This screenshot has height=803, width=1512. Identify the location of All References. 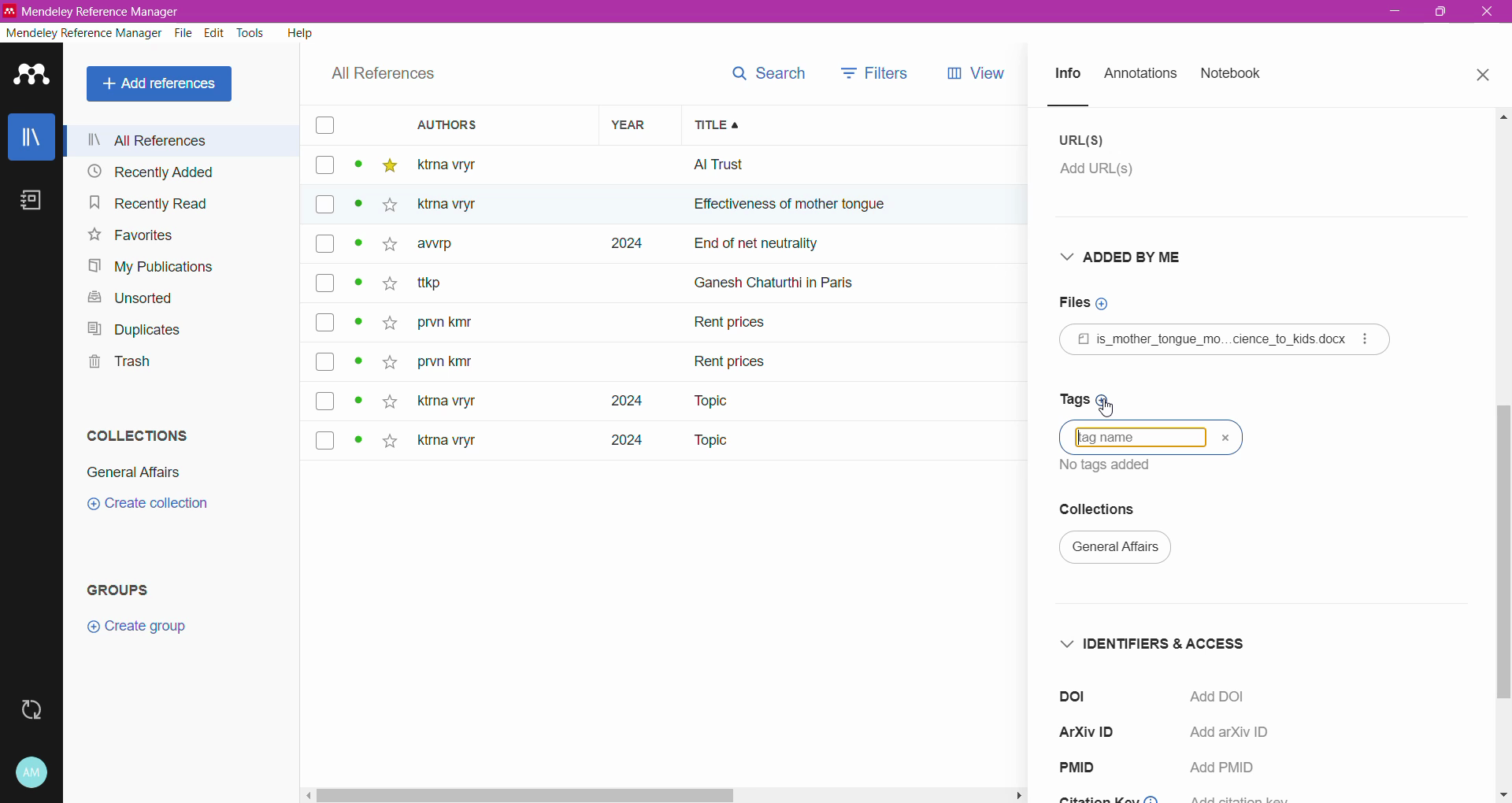
(384, 74).